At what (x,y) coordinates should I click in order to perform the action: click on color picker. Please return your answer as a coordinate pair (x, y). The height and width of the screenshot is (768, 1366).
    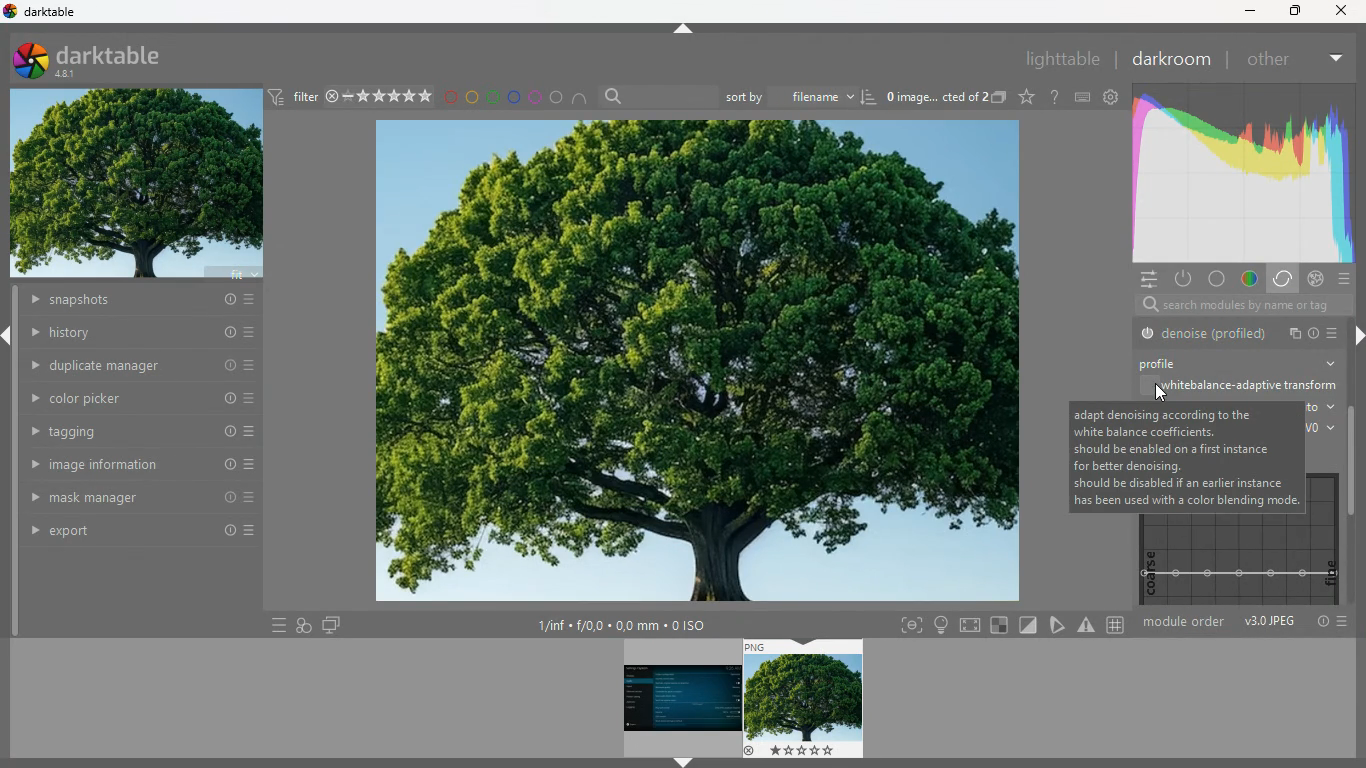
    Looking at the image, I should click on (132, 397).